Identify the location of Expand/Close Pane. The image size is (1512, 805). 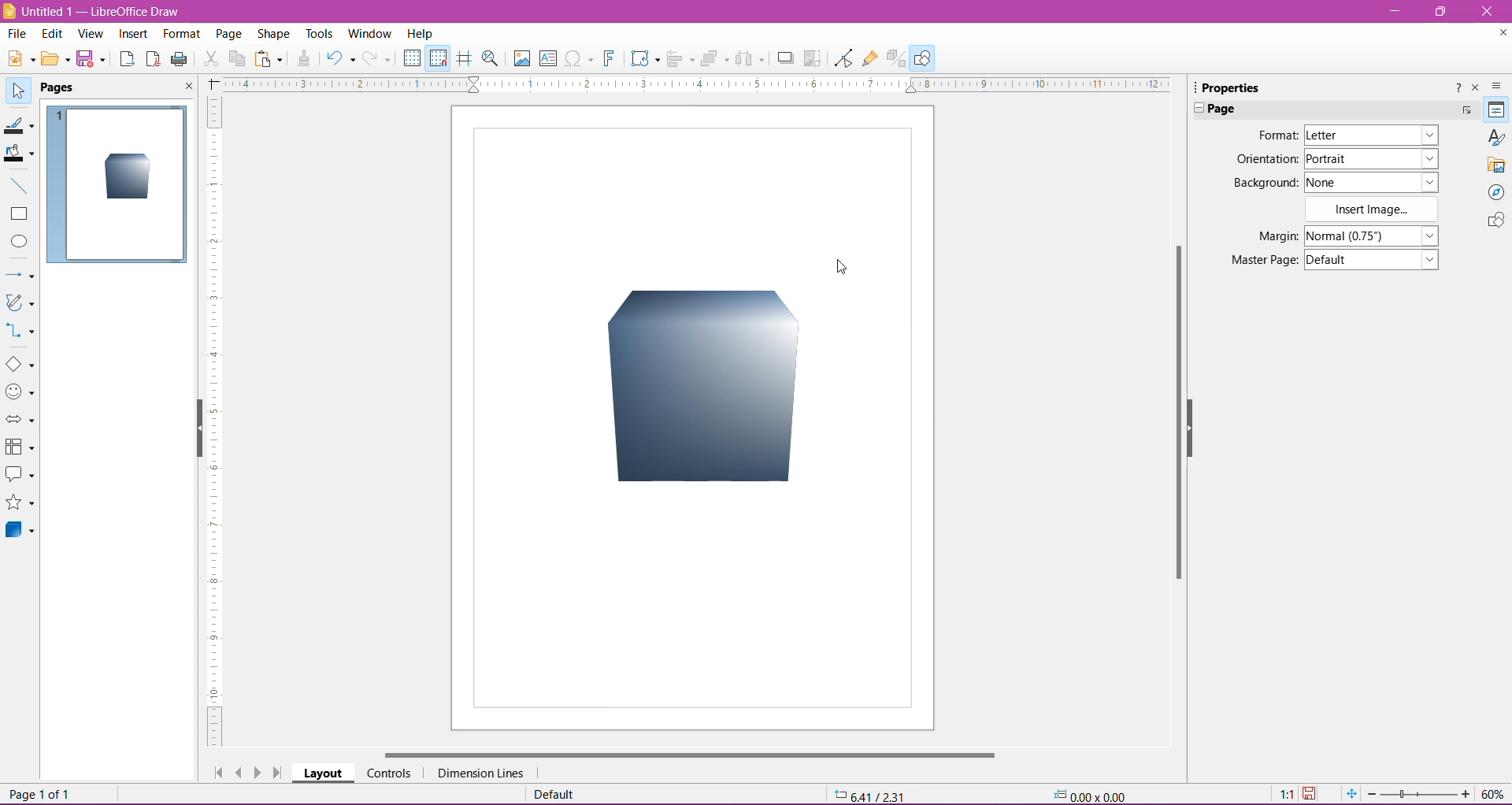
(1193, 109).